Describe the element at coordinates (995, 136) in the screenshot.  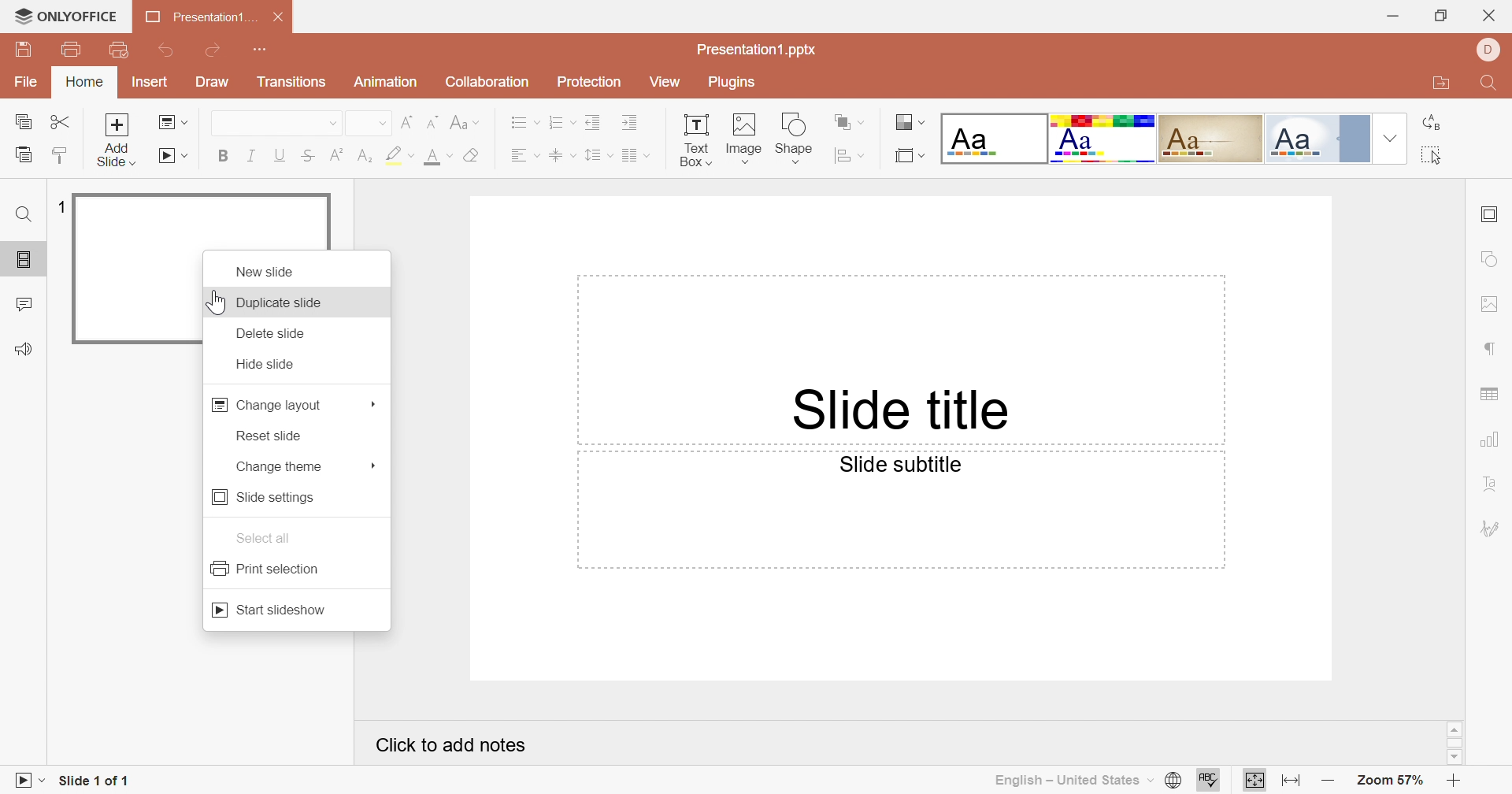
I see `Blank` at that location.